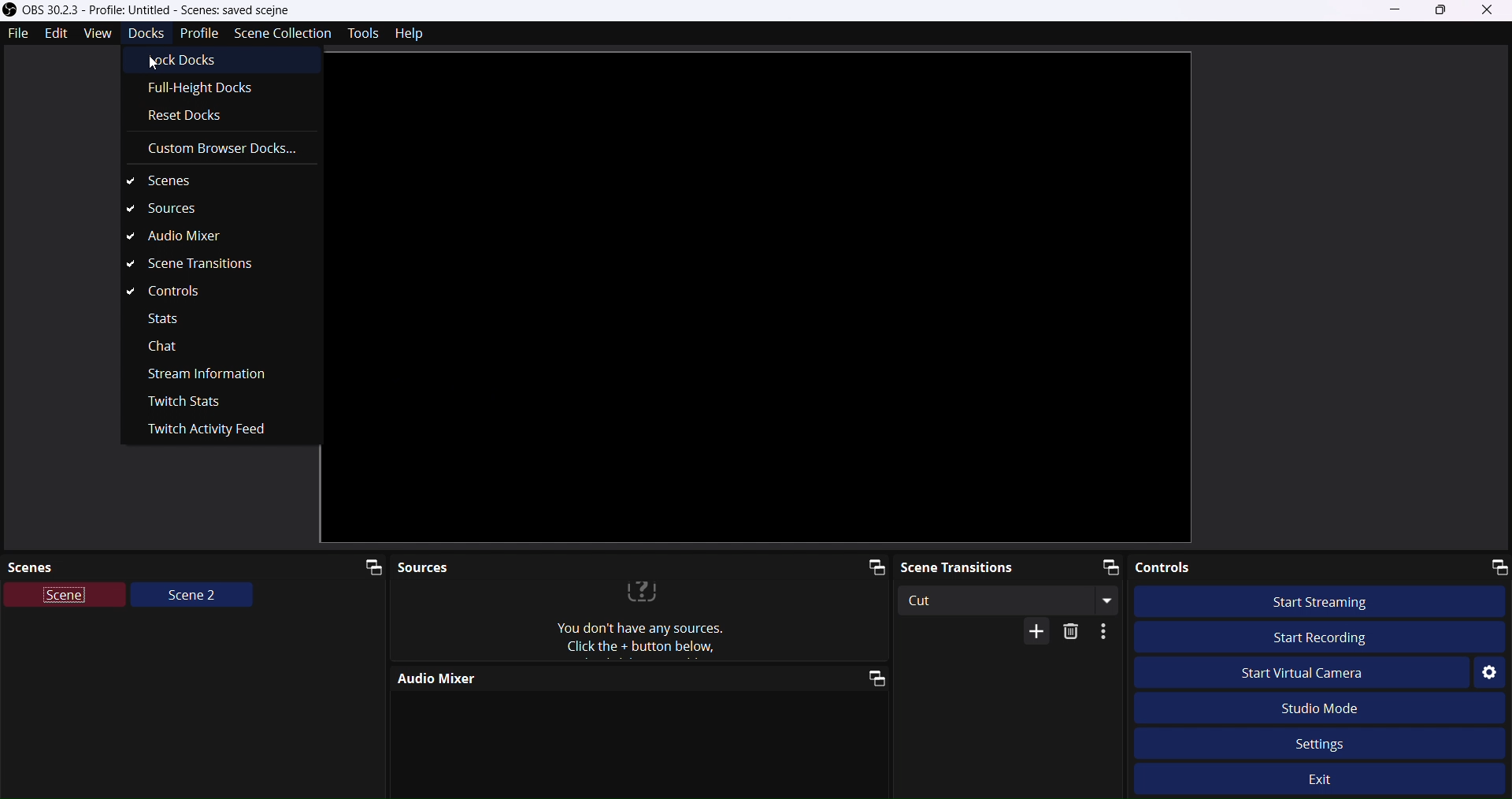 The image size is (1512, 799). Describe the element at coordinates (281, 32) in the screenshot. I see `SceneSeclection` at that location.